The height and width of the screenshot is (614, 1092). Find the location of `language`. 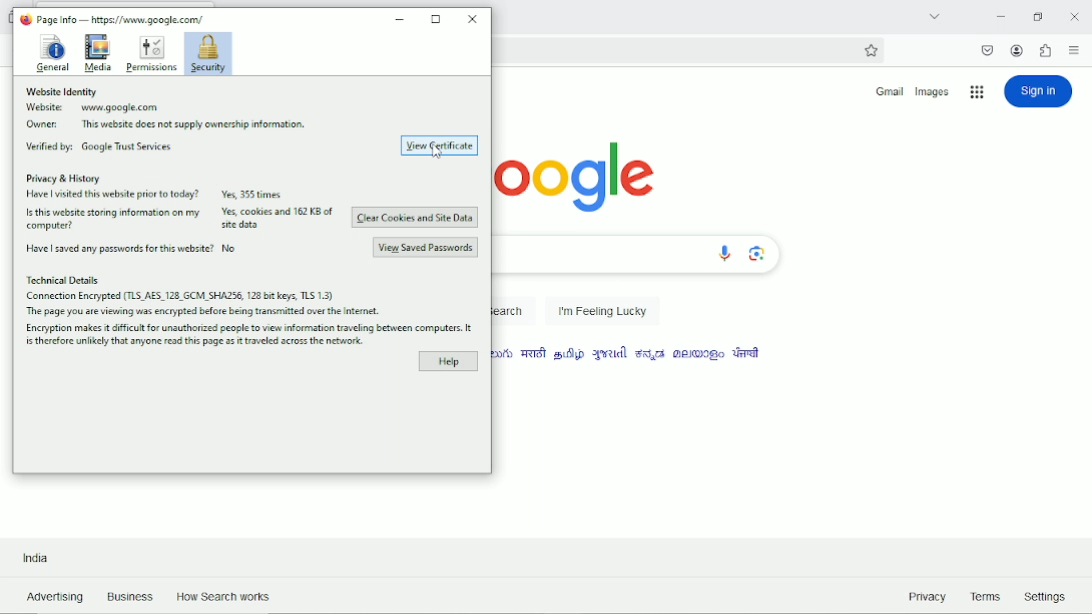

language is located at coordinates (696, 356).